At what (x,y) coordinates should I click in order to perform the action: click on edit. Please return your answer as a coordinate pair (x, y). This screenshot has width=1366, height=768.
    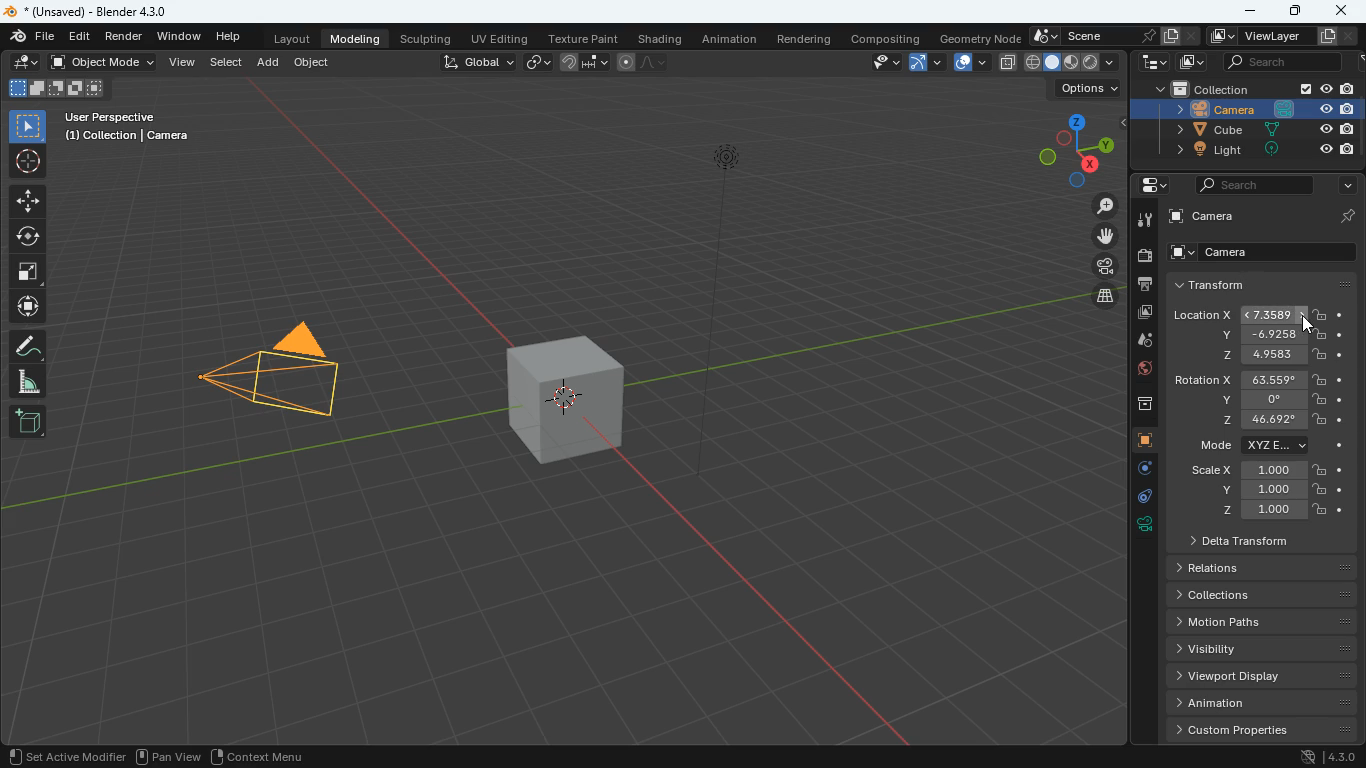
    Looking at the image, I should click on (26, 65).